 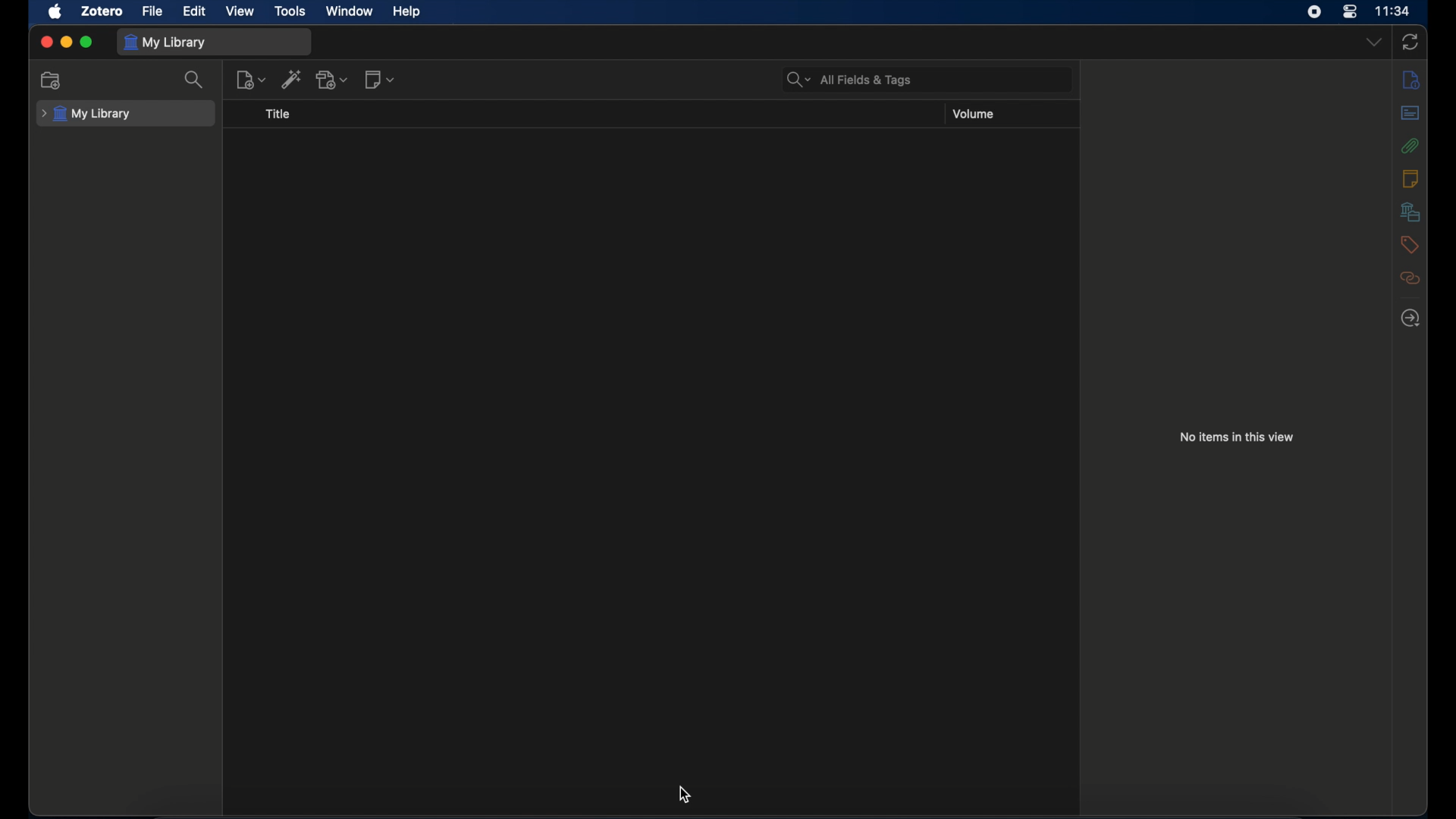 What do you see at coordinates (45, 41) in the screenshot?
I see `close` at bounding box center [45, 41].